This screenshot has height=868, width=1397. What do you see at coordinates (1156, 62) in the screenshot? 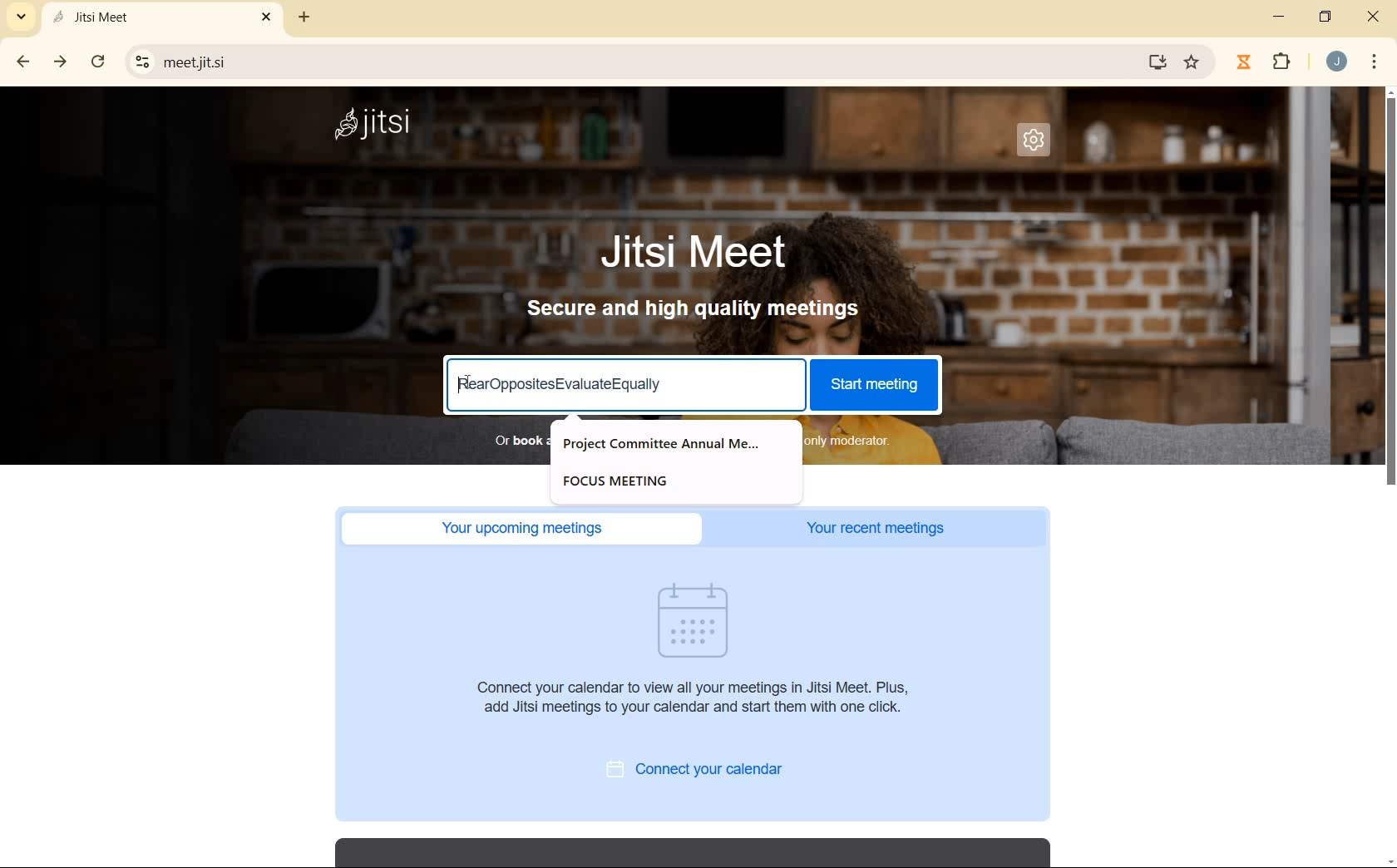
I see `Download` at bounding box center [1156, 62].